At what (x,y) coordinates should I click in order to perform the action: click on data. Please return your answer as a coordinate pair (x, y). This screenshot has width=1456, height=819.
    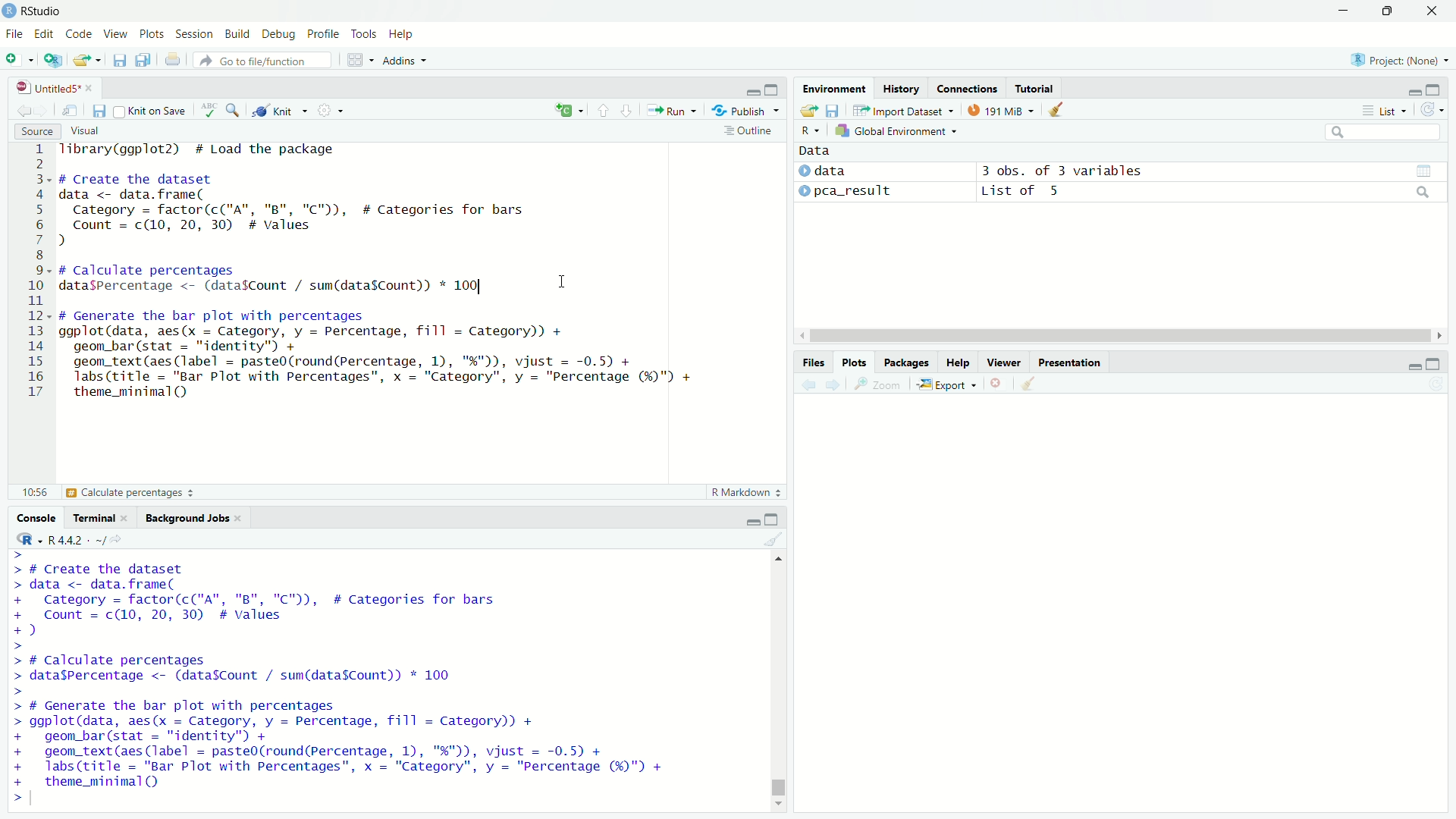
    Looking at the image, I should click on (816, 150).